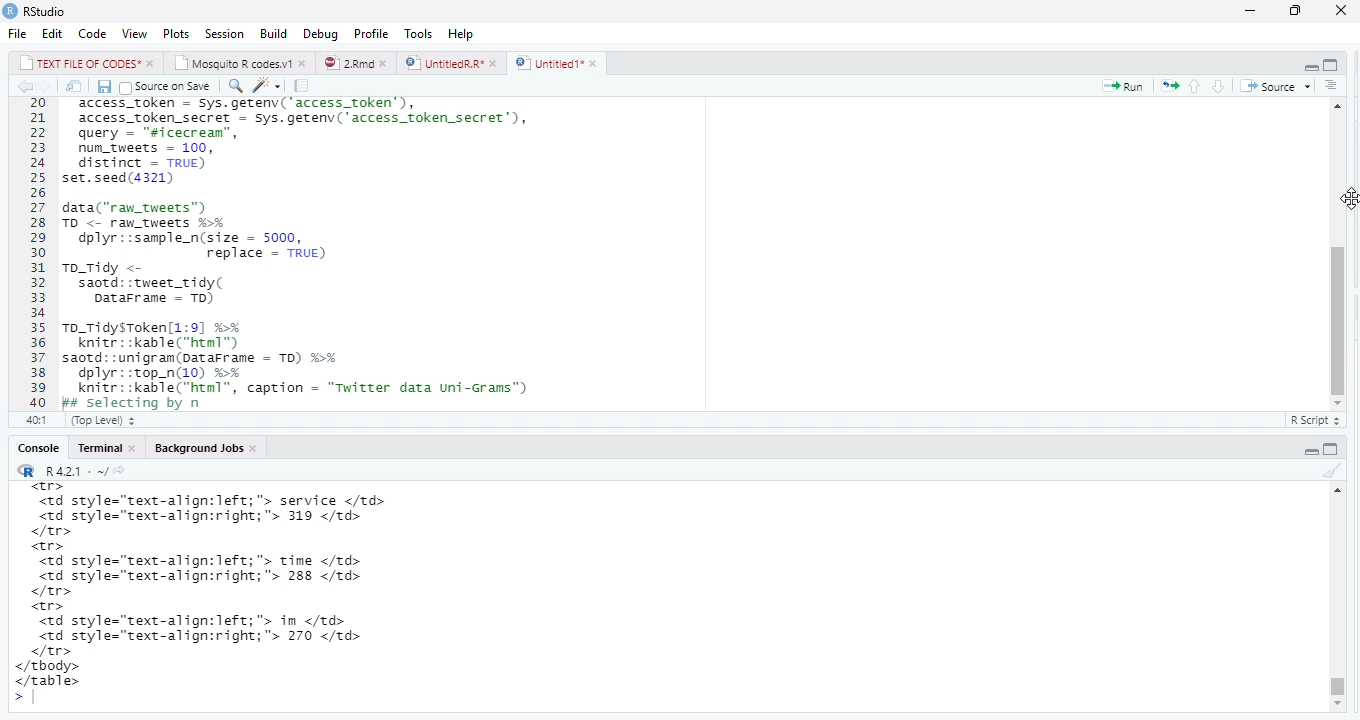 Image resolution: width=1360 pixels, height=720 pixels. I want to click on Tools, so click(416, 32).